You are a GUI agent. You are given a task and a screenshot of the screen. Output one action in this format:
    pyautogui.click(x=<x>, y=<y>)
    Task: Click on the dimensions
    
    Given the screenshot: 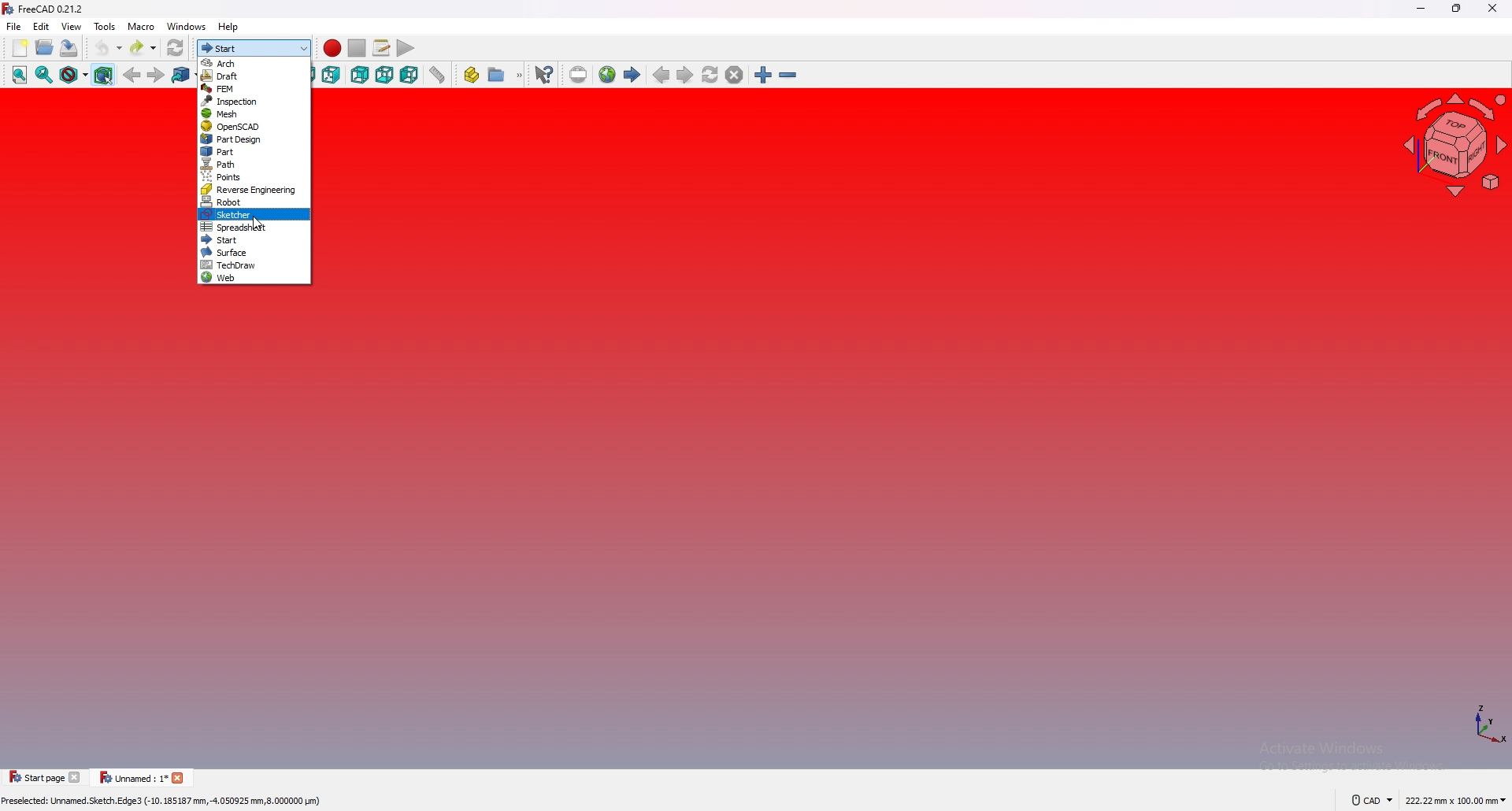 What is the action you would take?
    pyautogui.click(x=1455, y=801)
    